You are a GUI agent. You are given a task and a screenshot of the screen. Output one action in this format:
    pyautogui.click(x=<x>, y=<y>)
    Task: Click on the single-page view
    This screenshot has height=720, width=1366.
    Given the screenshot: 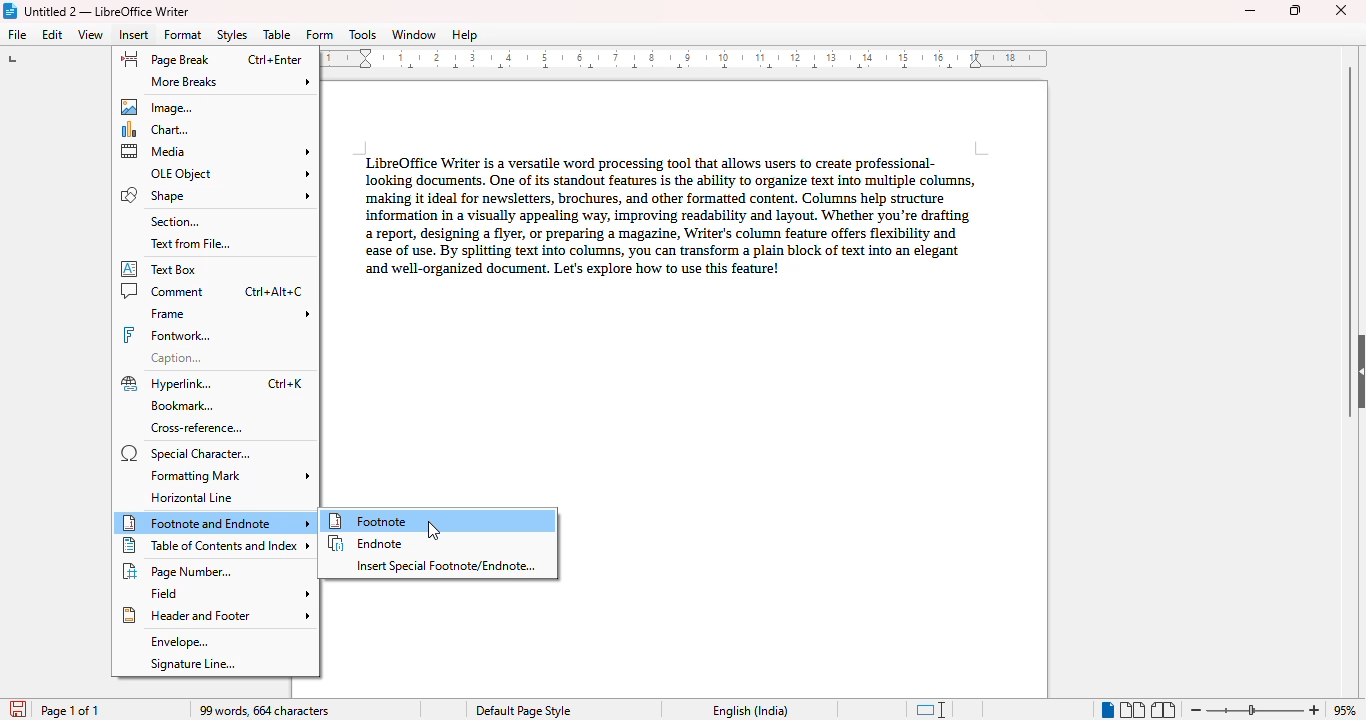 What is the action you would take?
    pyautogui.click(x=1106, y=710)
    